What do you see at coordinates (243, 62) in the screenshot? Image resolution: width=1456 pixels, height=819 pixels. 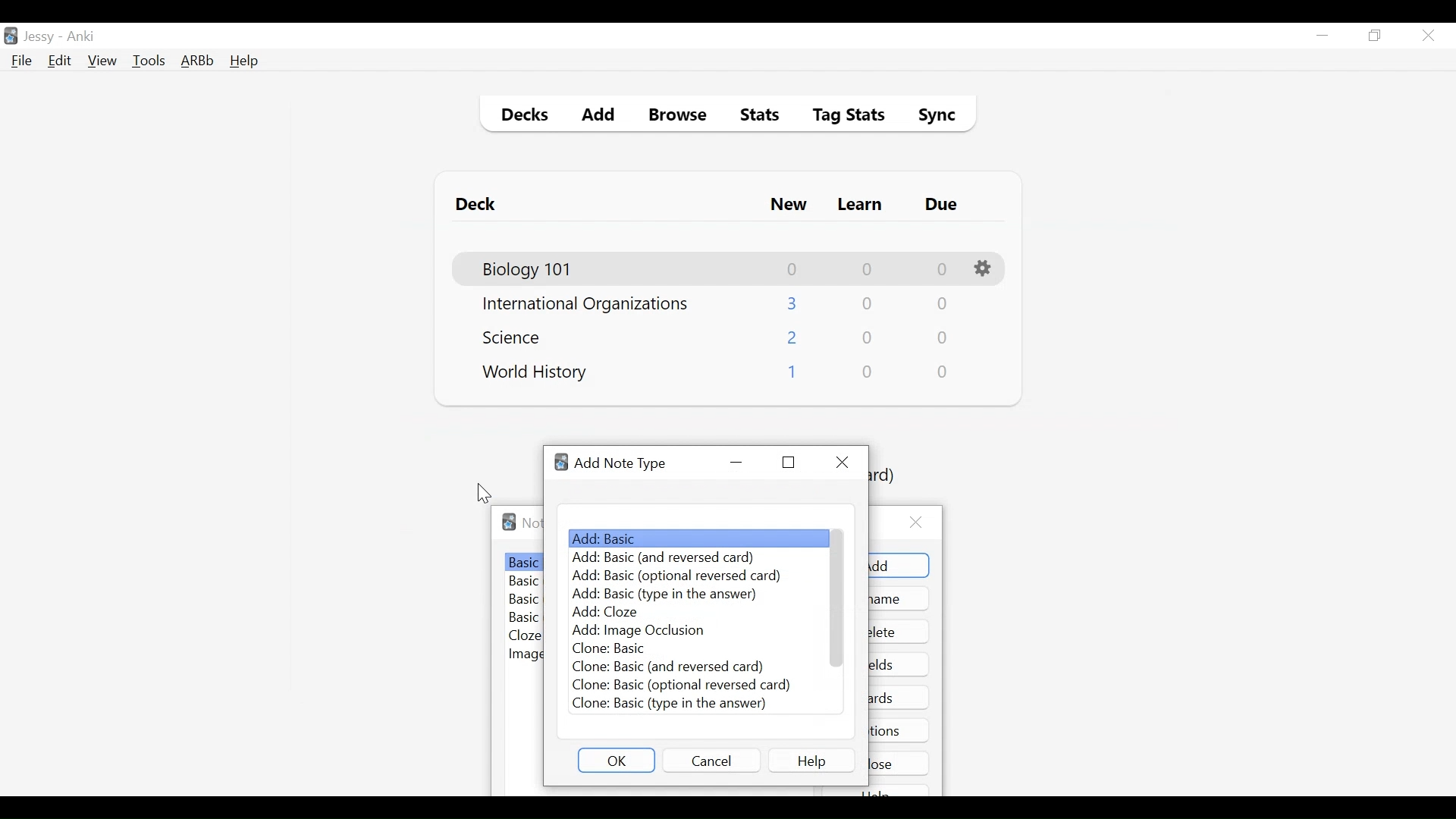 I see `Help` at bounding box center [243, 62].